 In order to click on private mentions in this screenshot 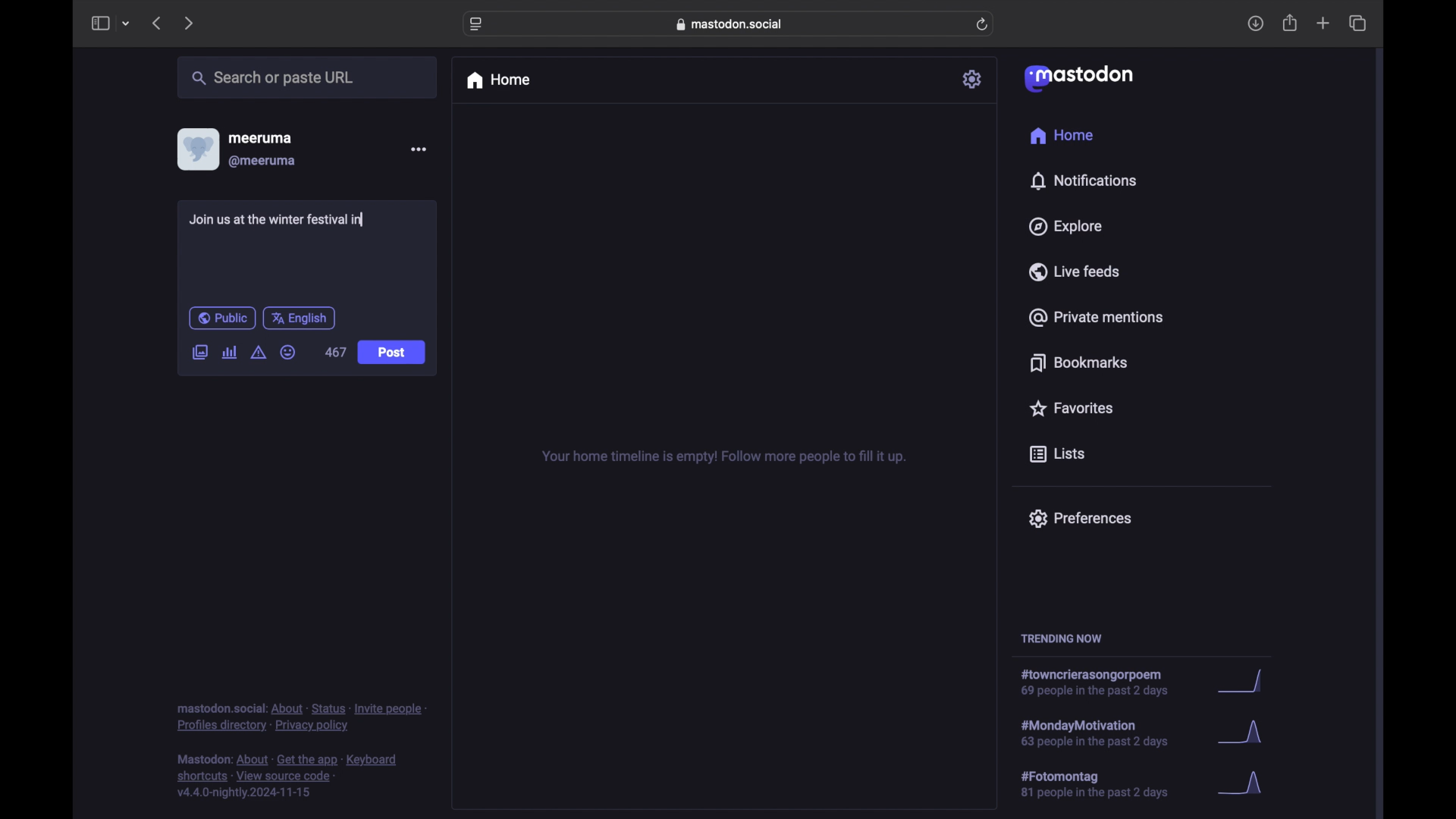, I will do `click(1097, 317)`.